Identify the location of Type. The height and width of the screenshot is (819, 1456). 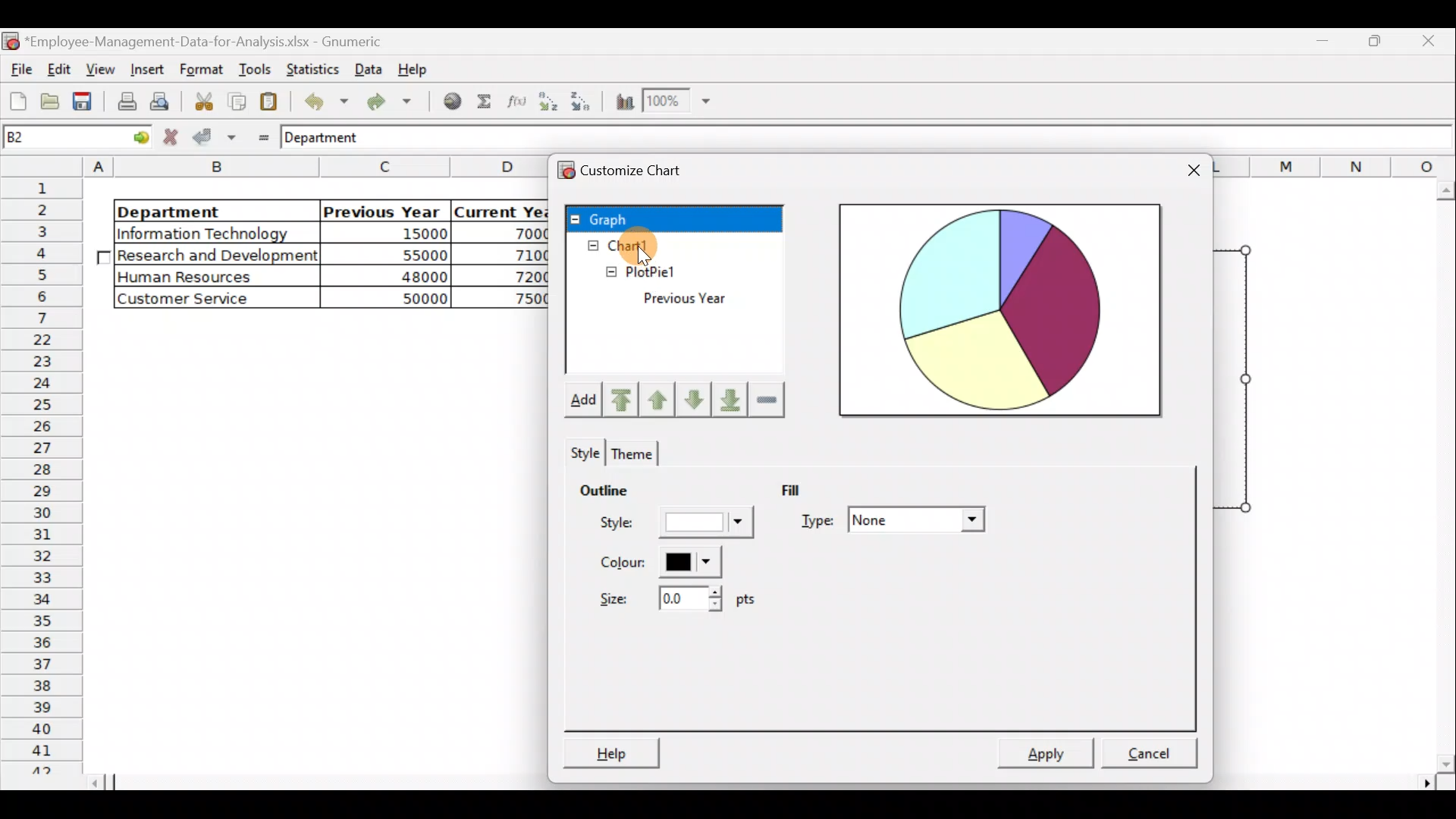
(905, 520).